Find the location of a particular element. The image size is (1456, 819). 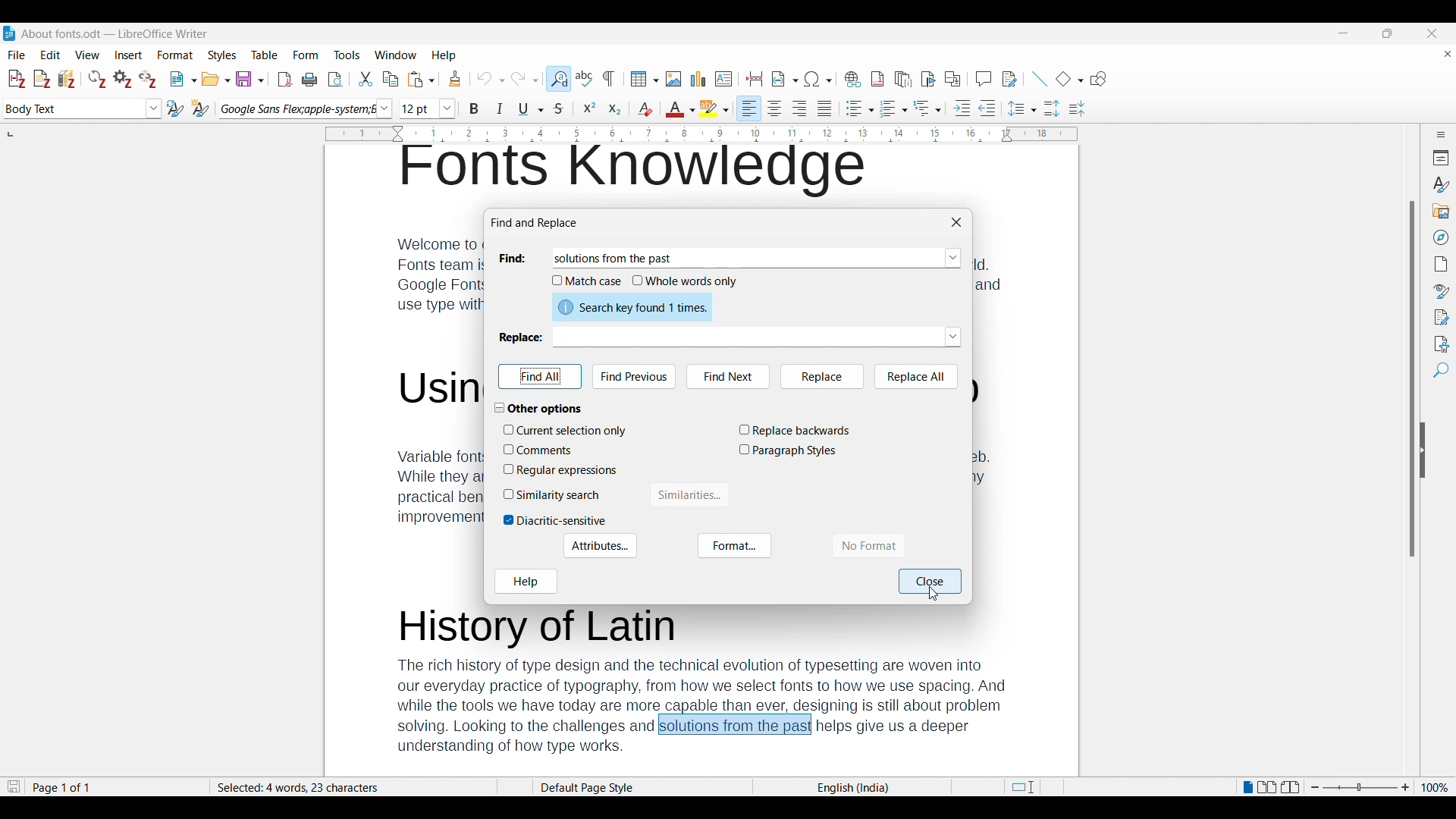

Replace all is located at coordinates (916, 378).